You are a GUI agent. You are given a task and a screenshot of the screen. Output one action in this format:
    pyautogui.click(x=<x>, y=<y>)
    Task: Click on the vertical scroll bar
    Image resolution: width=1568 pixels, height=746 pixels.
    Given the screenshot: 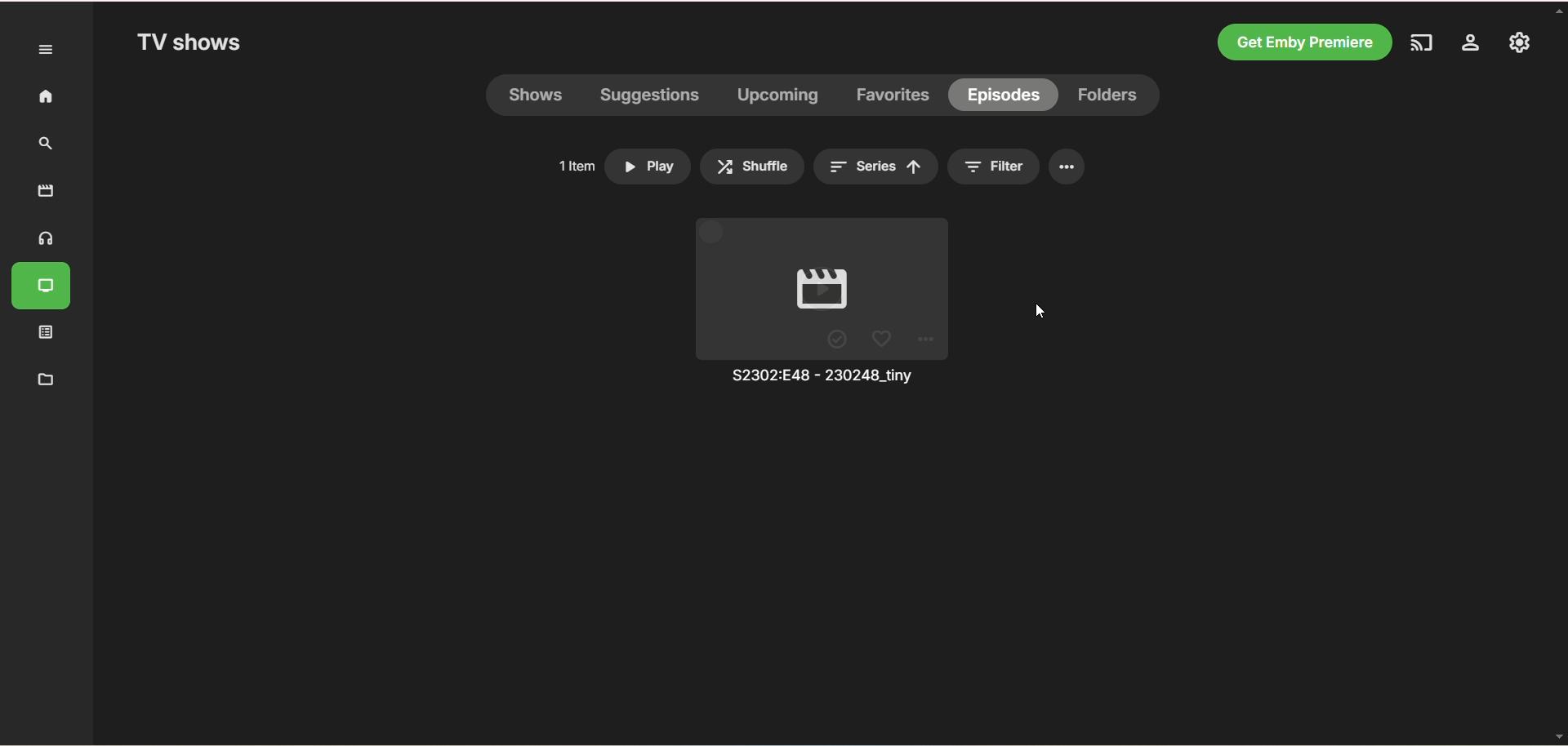 What is the action you would take?
    pyautogui.click(x=1558, y=375)
    